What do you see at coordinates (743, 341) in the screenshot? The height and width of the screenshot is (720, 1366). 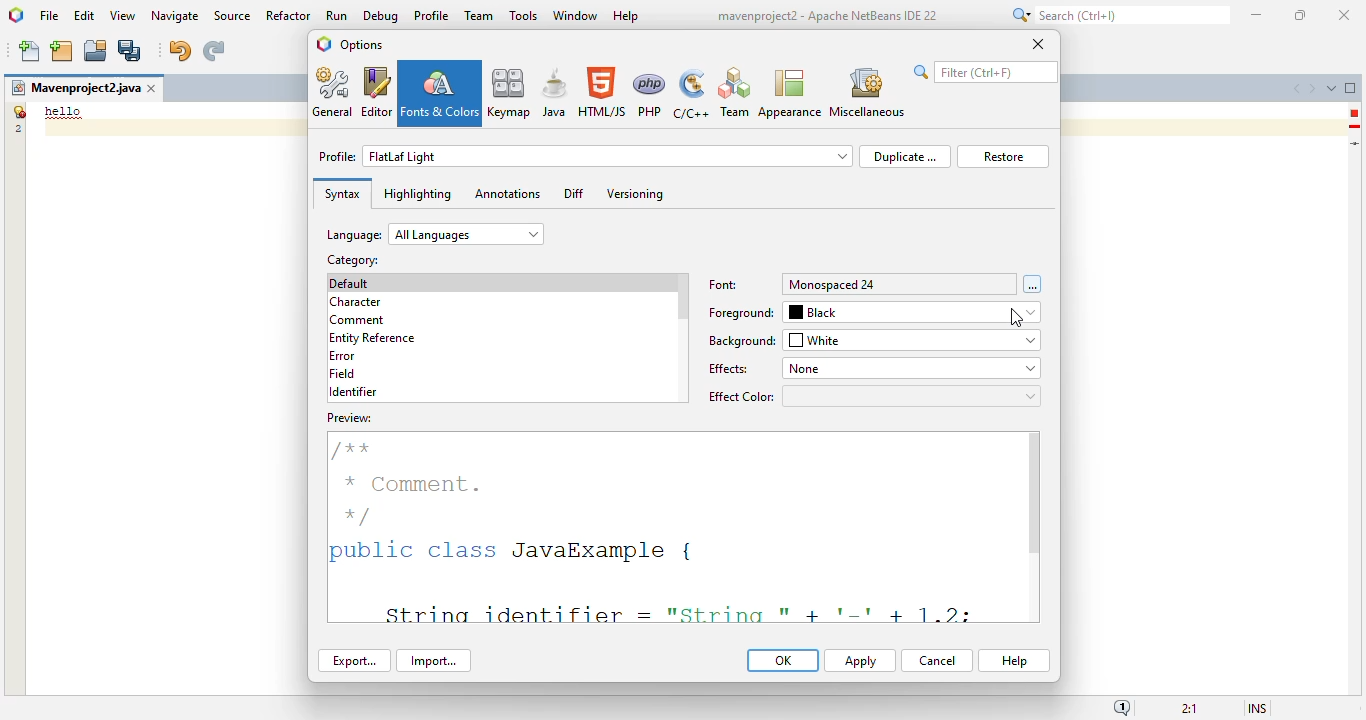 I see `background: ` at bounding box center [743, 341].